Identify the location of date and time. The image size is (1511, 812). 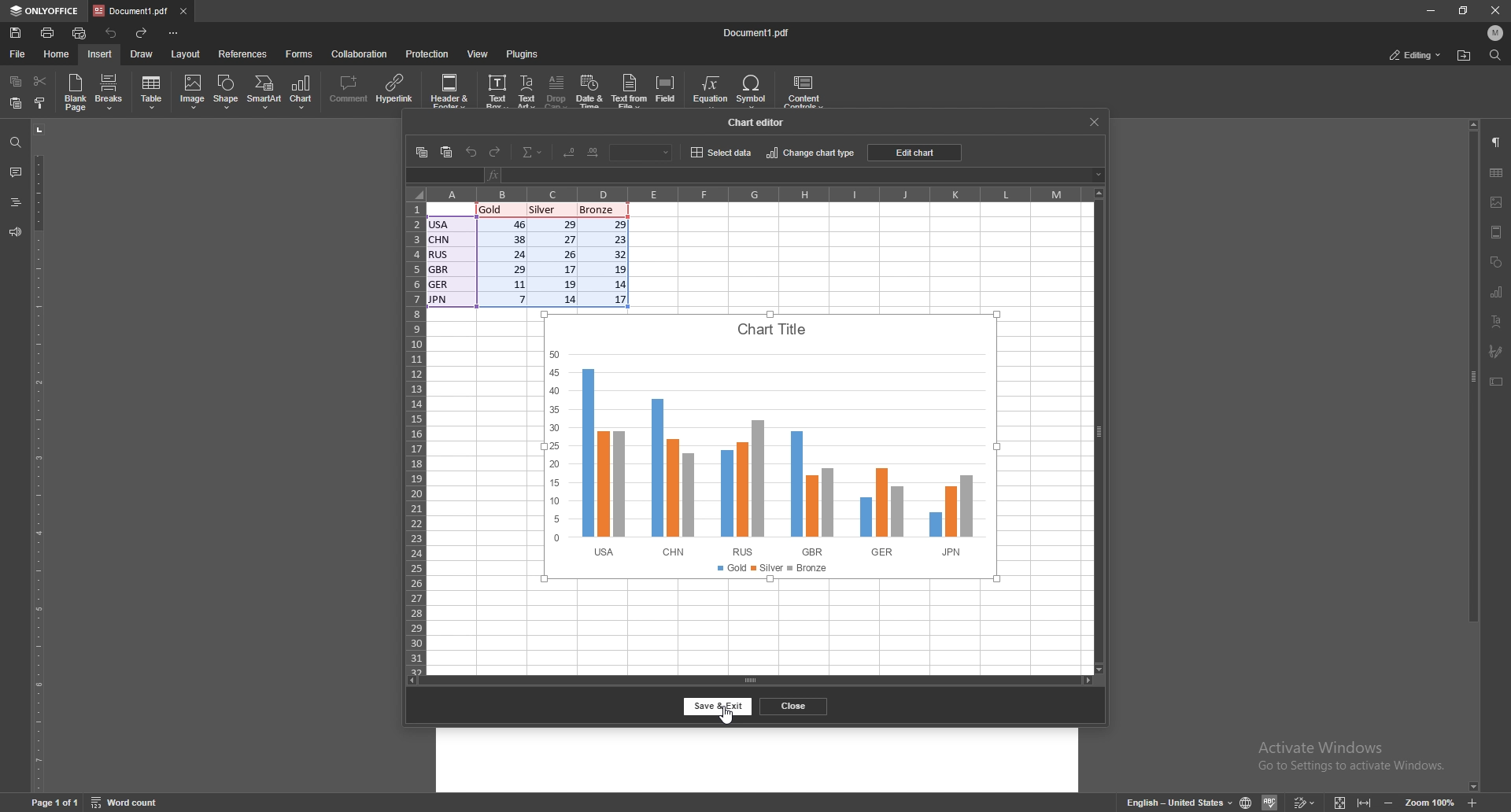
(452, 92).